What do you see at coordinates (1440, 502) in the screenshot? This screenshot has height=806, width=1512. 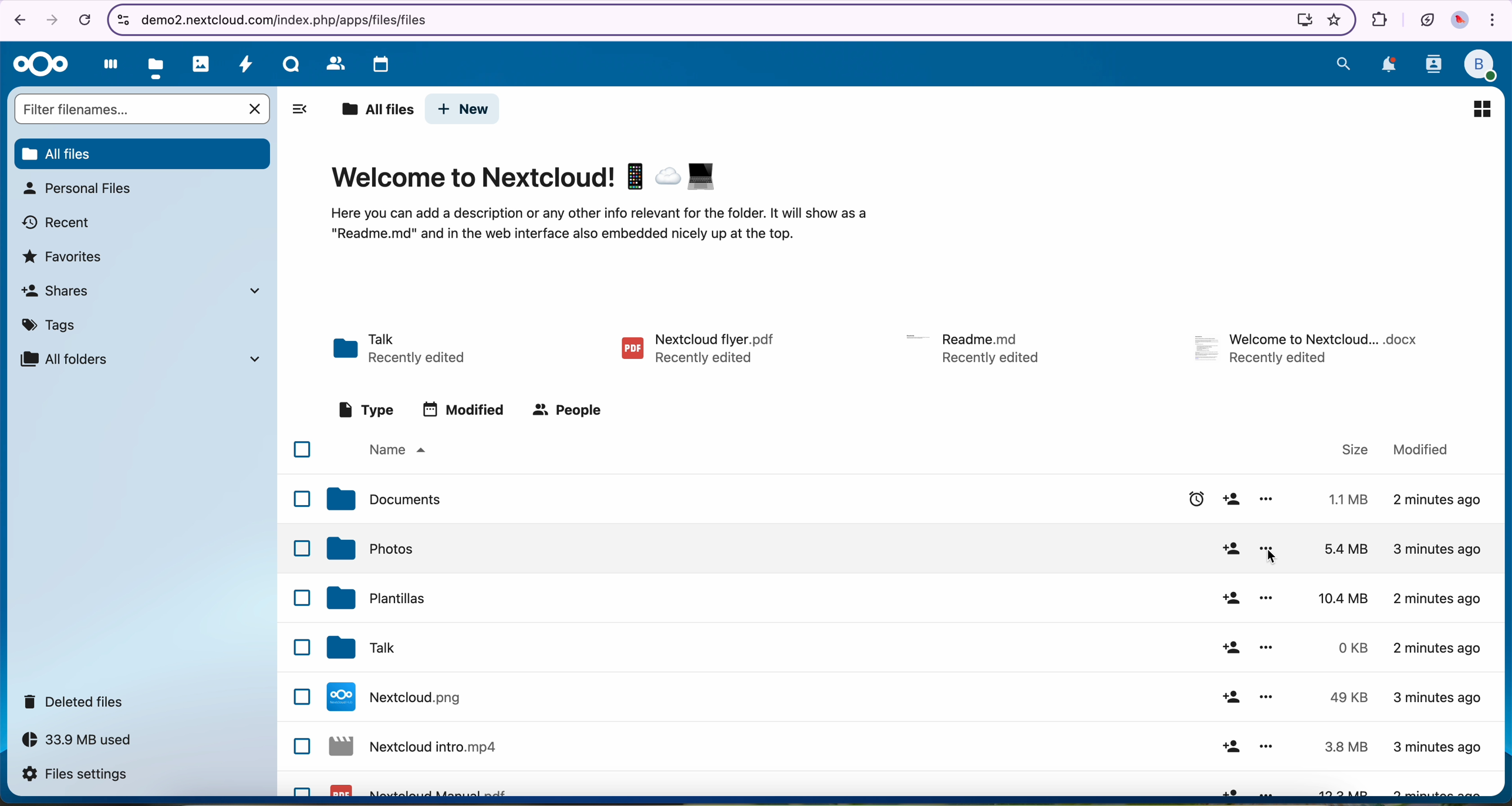 I see `2 minutes ago` at bounding box center [1440, 502].